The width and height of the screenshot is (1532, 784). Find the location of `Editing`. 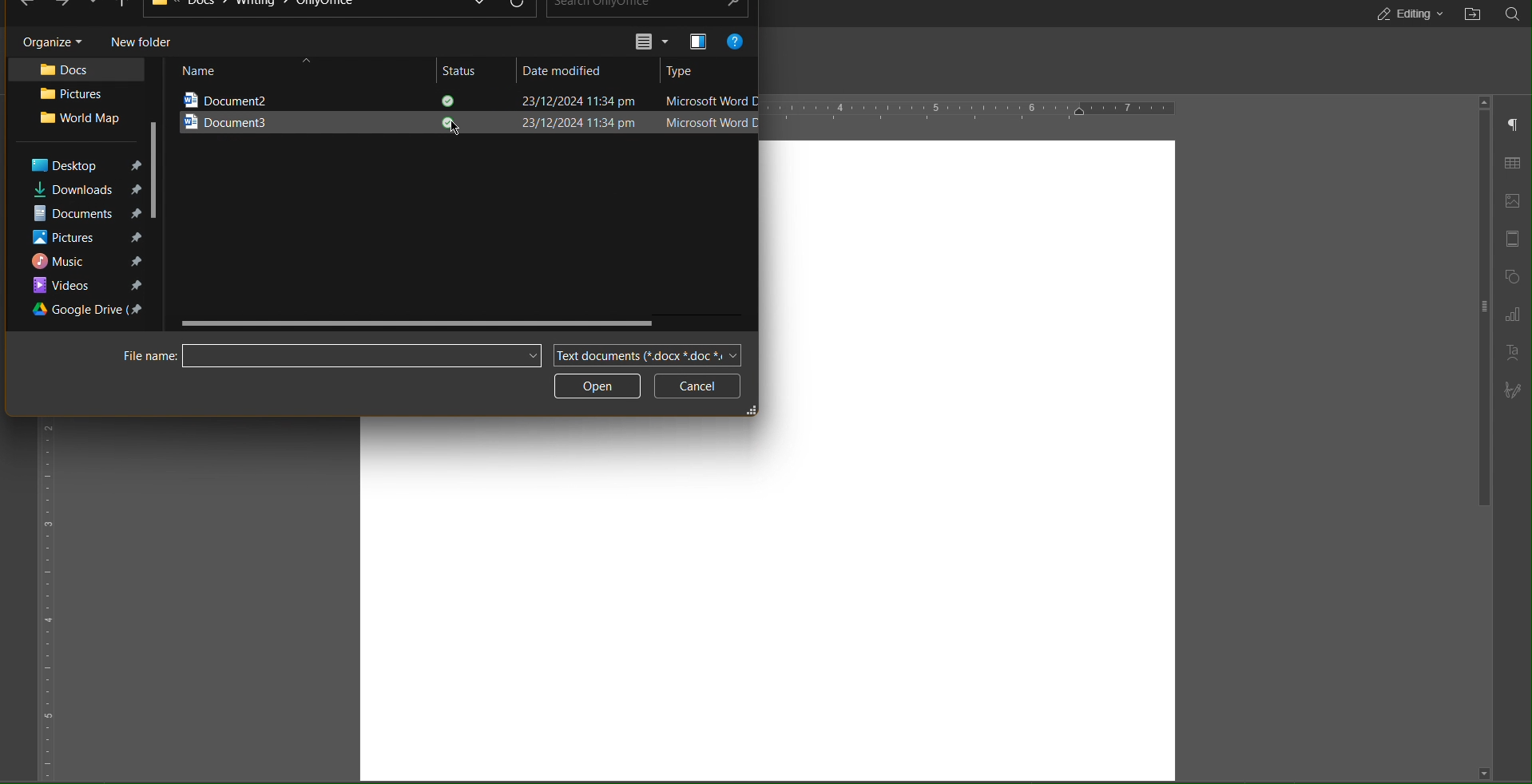

Editing is located at coordinates (1405, 14).